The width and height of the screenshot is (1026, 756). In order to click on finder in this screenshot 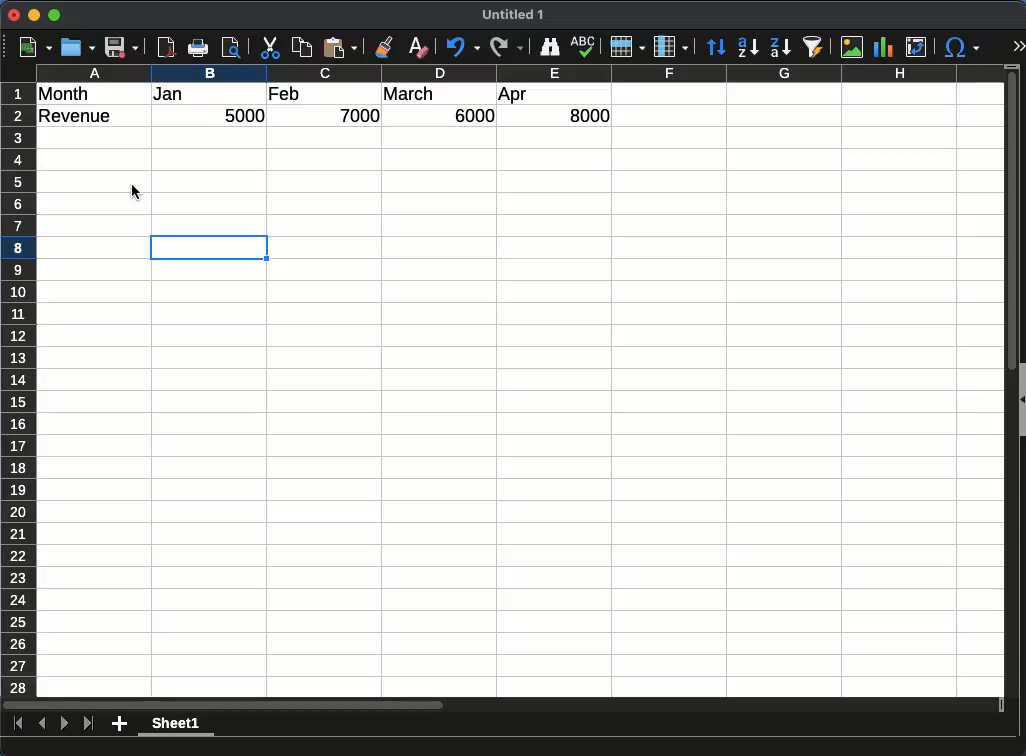, I will do `click(548, 47)`.